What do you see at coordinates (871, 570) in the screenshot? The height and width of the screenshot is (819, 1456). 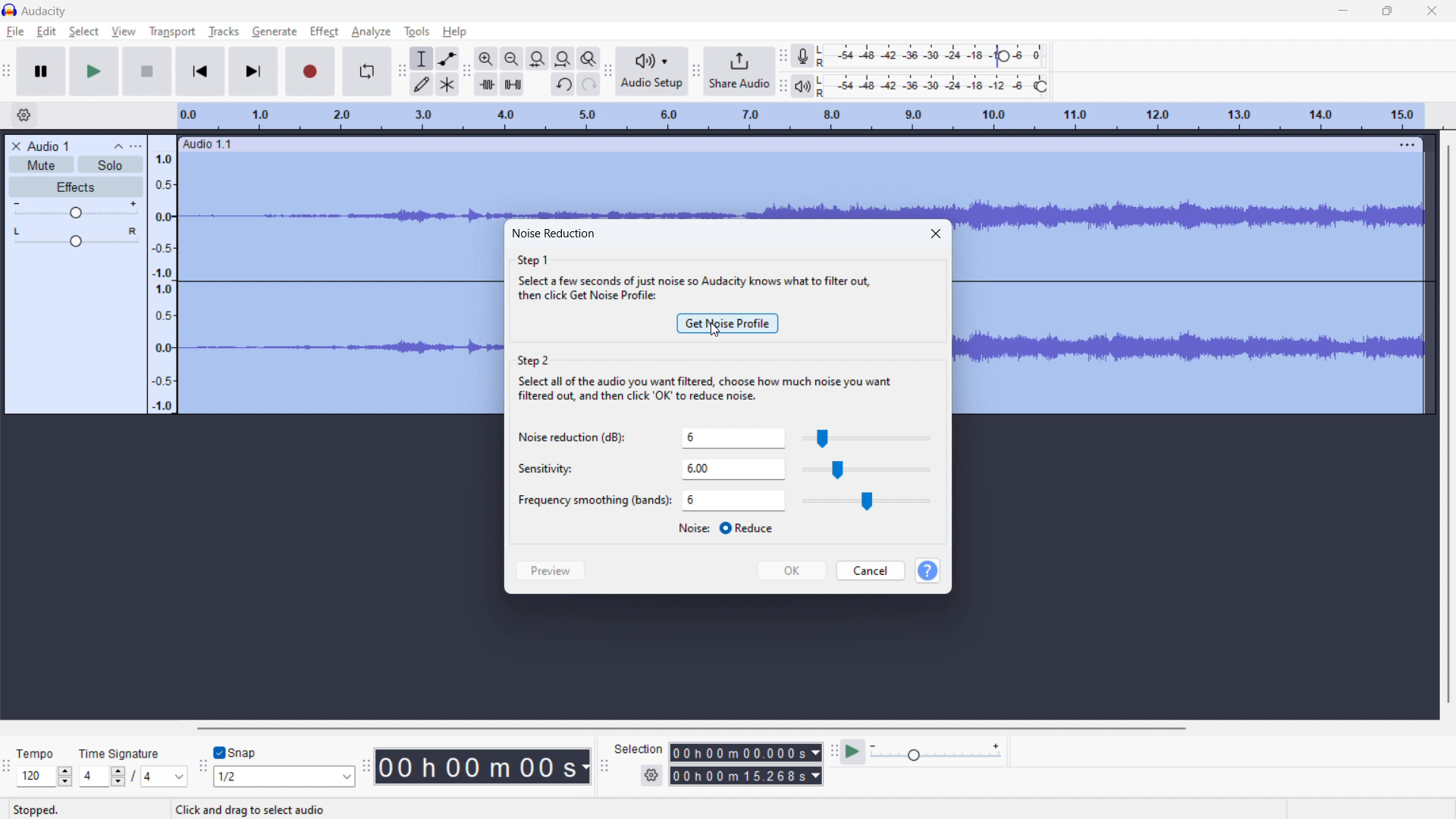 I see `cancel` at bounding box center [871, 570].